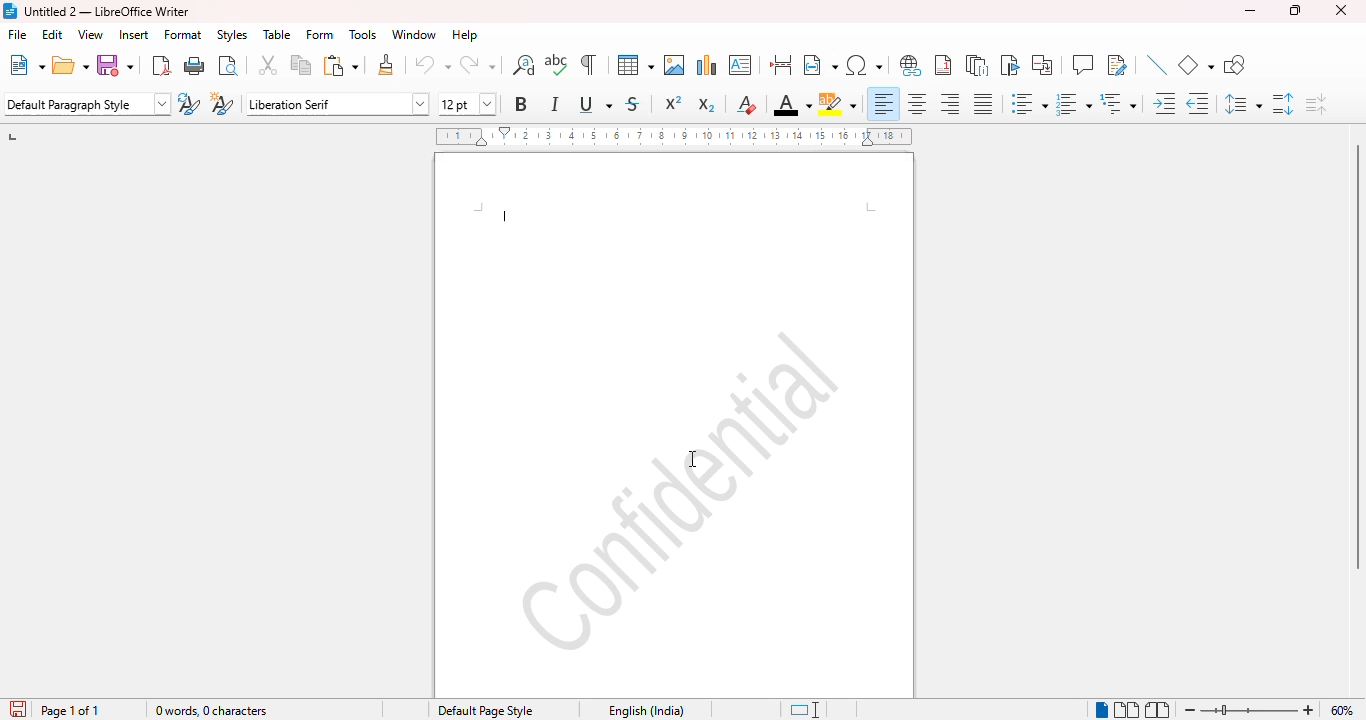  What do you see at coordinates (90, 34) in the screenshot?
I see `view` at bounding box center [90, 34].